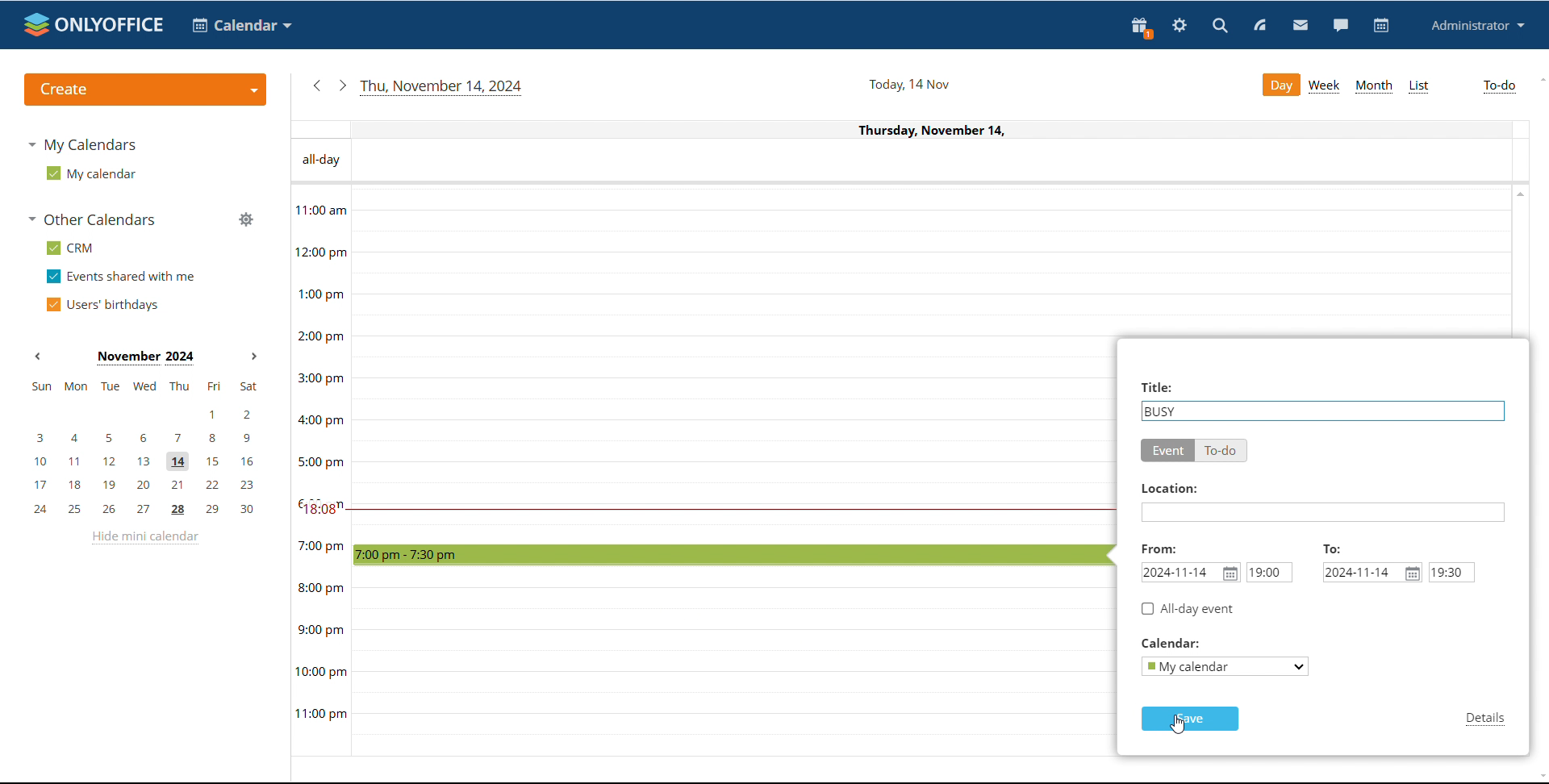 The image size is (1549, 784). Describe the element at coordinates (254, 357) in the screenshot. I see `next month` at that location.